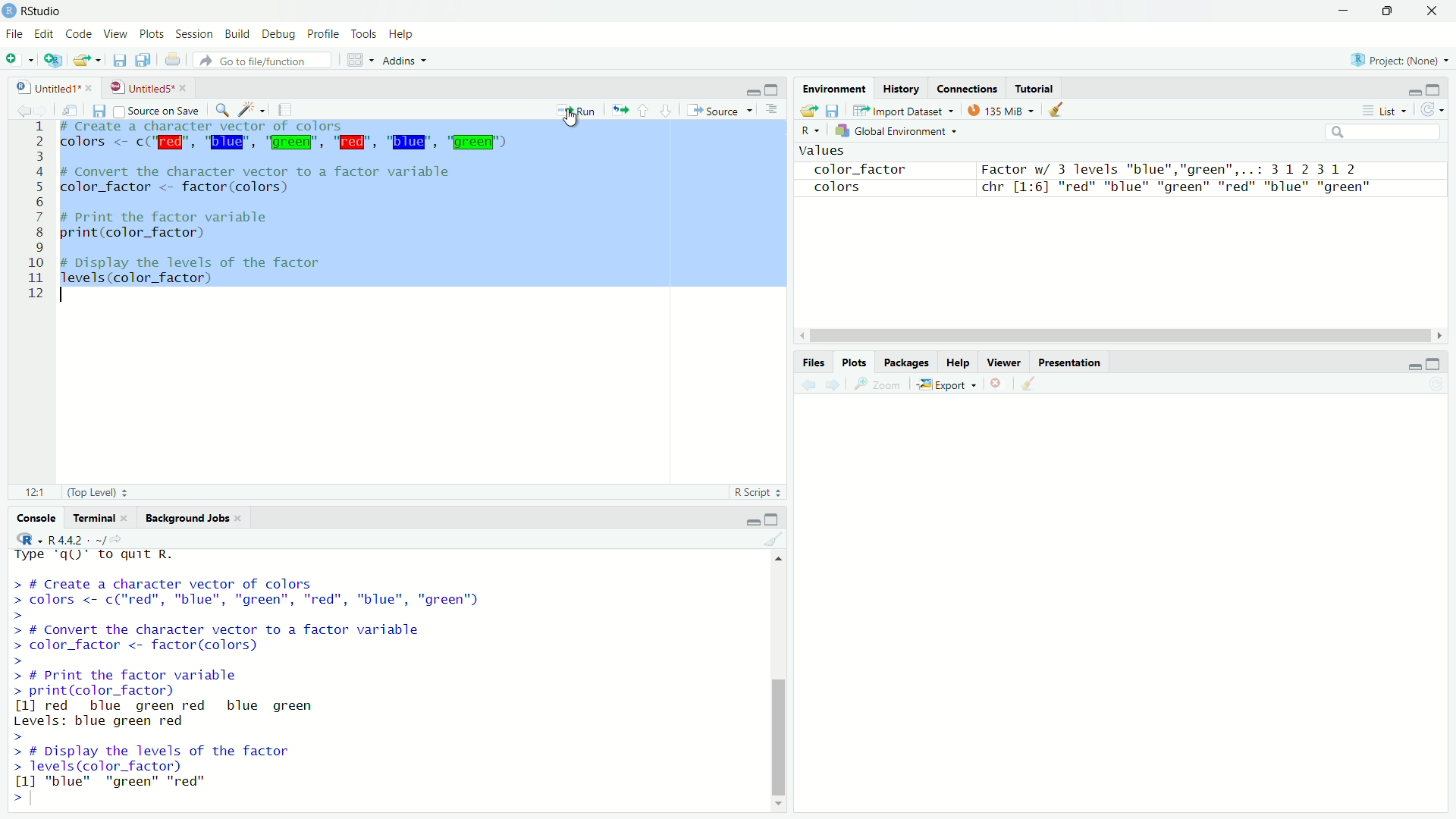 The height and width of the screenshot is (819, 1456). What do you see at coordinates (406, 61) in the screenshot?
I see `addins` at bounding box center [406, 61].